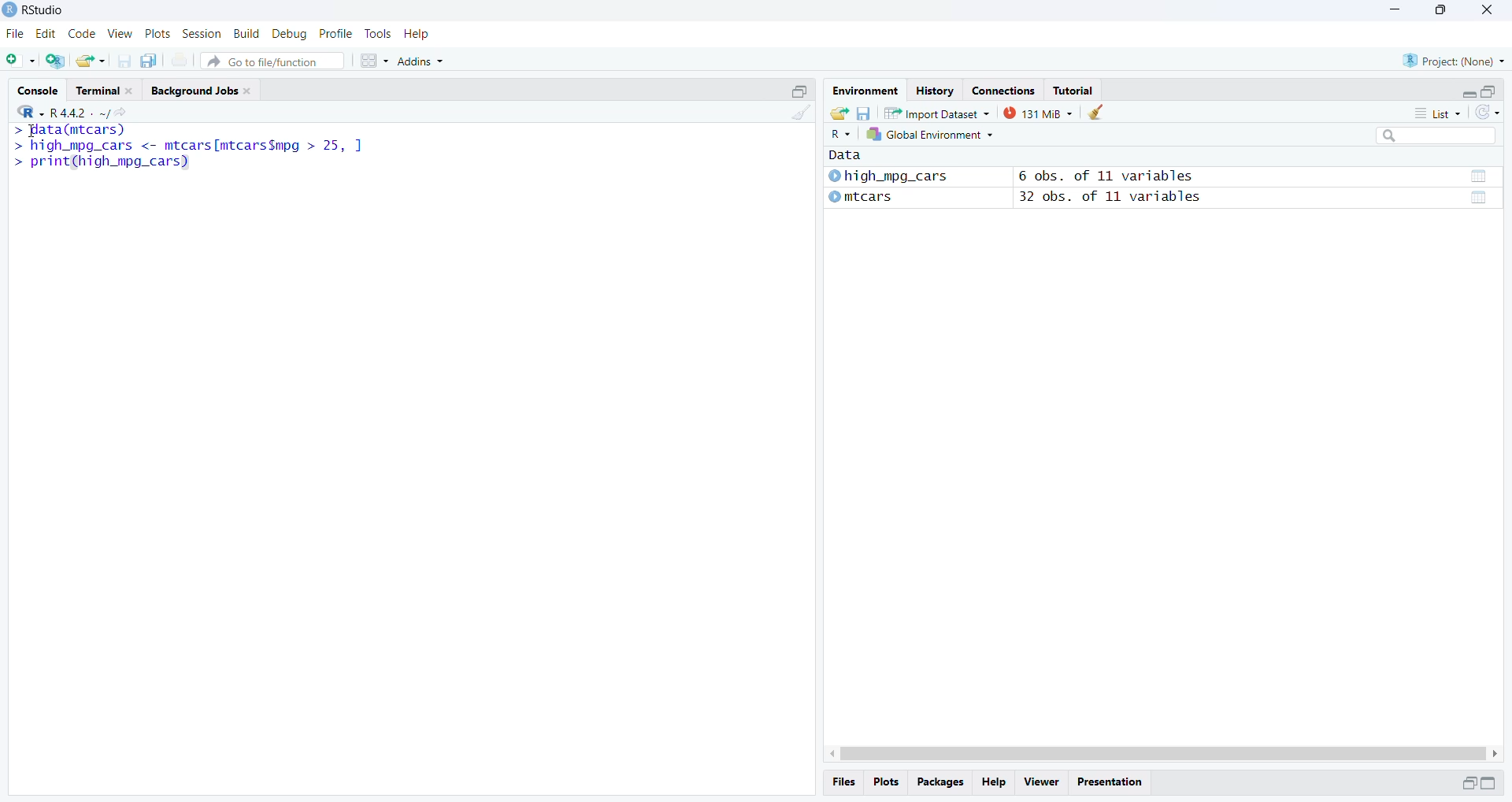 The width and height of the screenshot is (1512, 802). I want to click on minimize, so click(1468, 785).